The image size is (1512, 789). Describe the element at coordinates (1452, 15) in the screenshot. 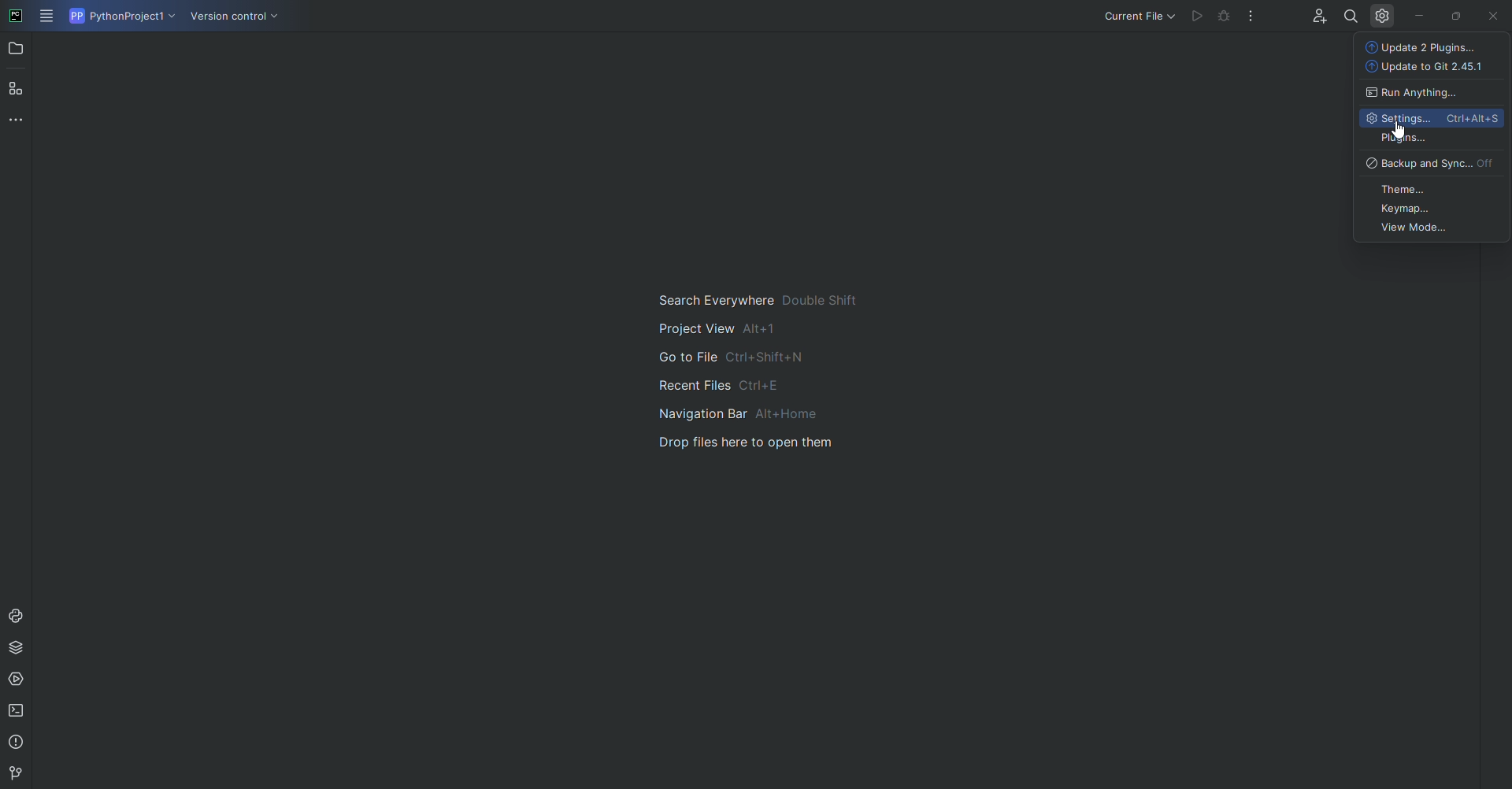

I see `Restore` at that location.